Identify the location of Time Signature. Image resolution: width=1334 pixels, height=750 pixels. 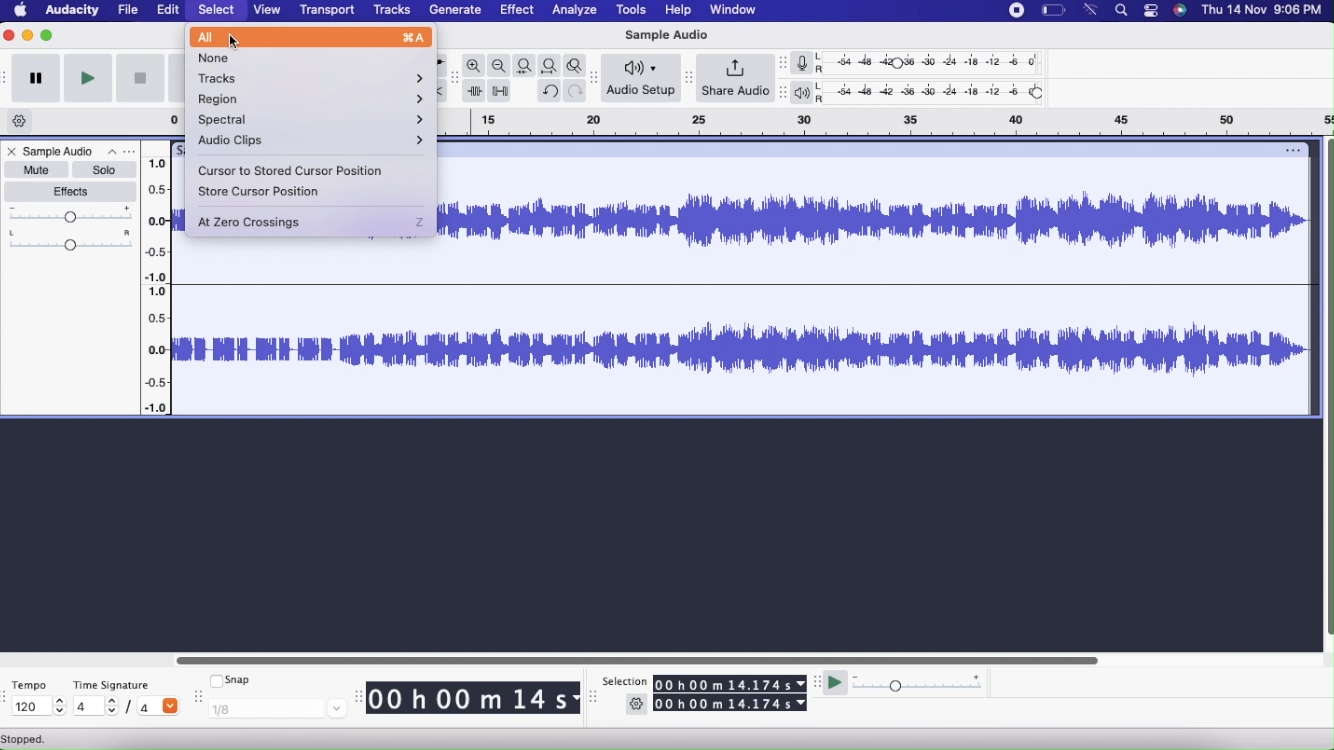
(112, 681).